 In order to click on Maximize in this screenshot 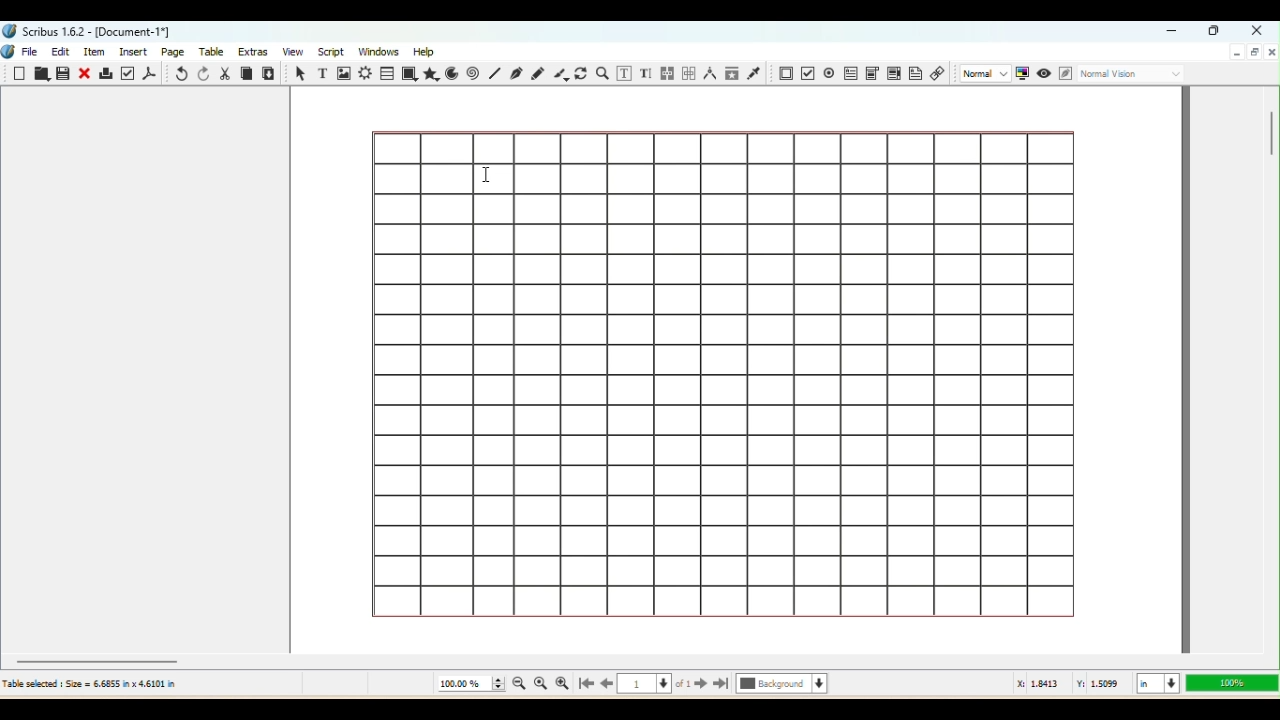, I will do `click(1254, 53)`.